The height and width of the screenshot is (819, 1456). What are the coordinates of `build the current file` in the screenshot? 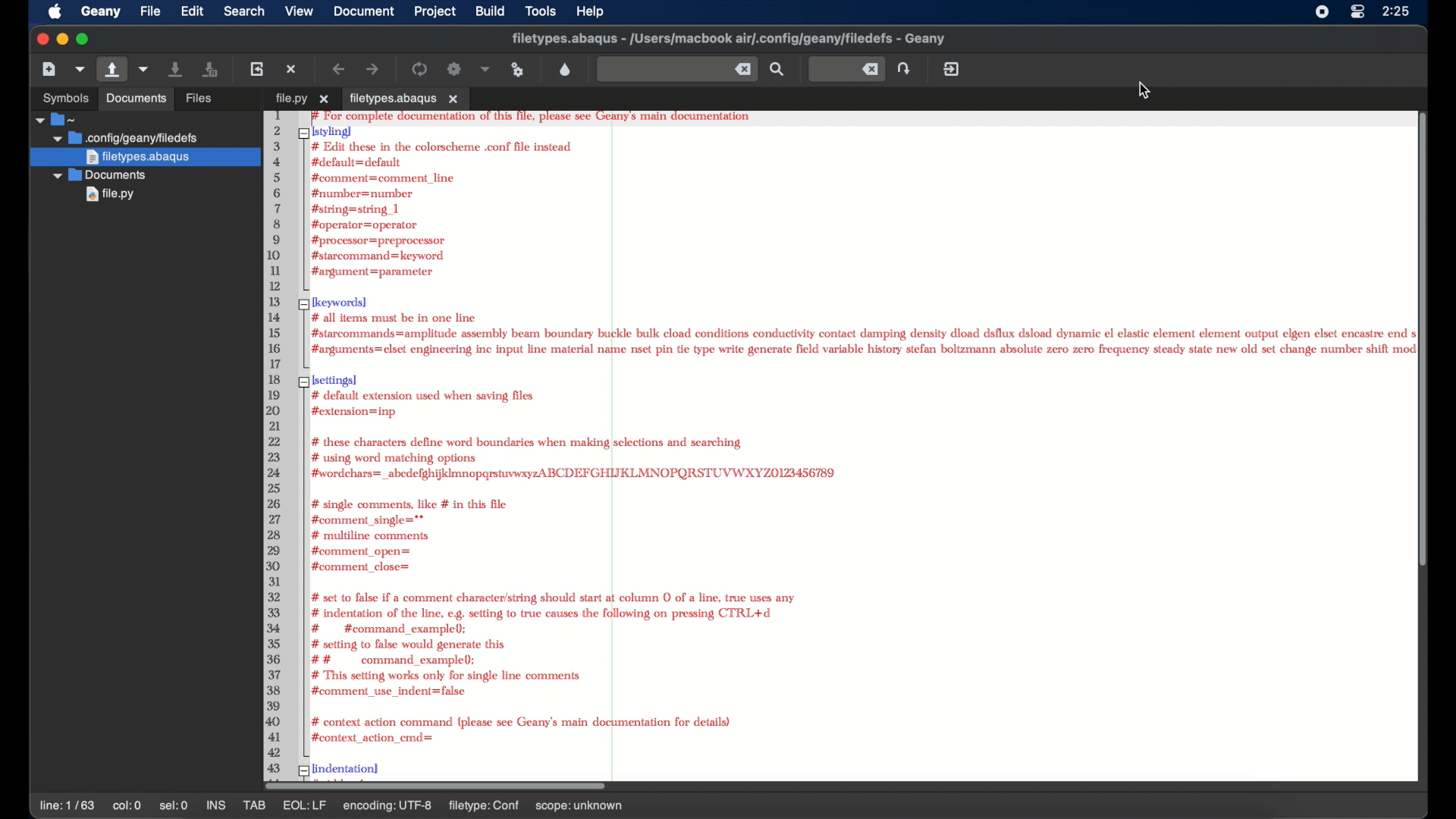 It's located at (454, 69).